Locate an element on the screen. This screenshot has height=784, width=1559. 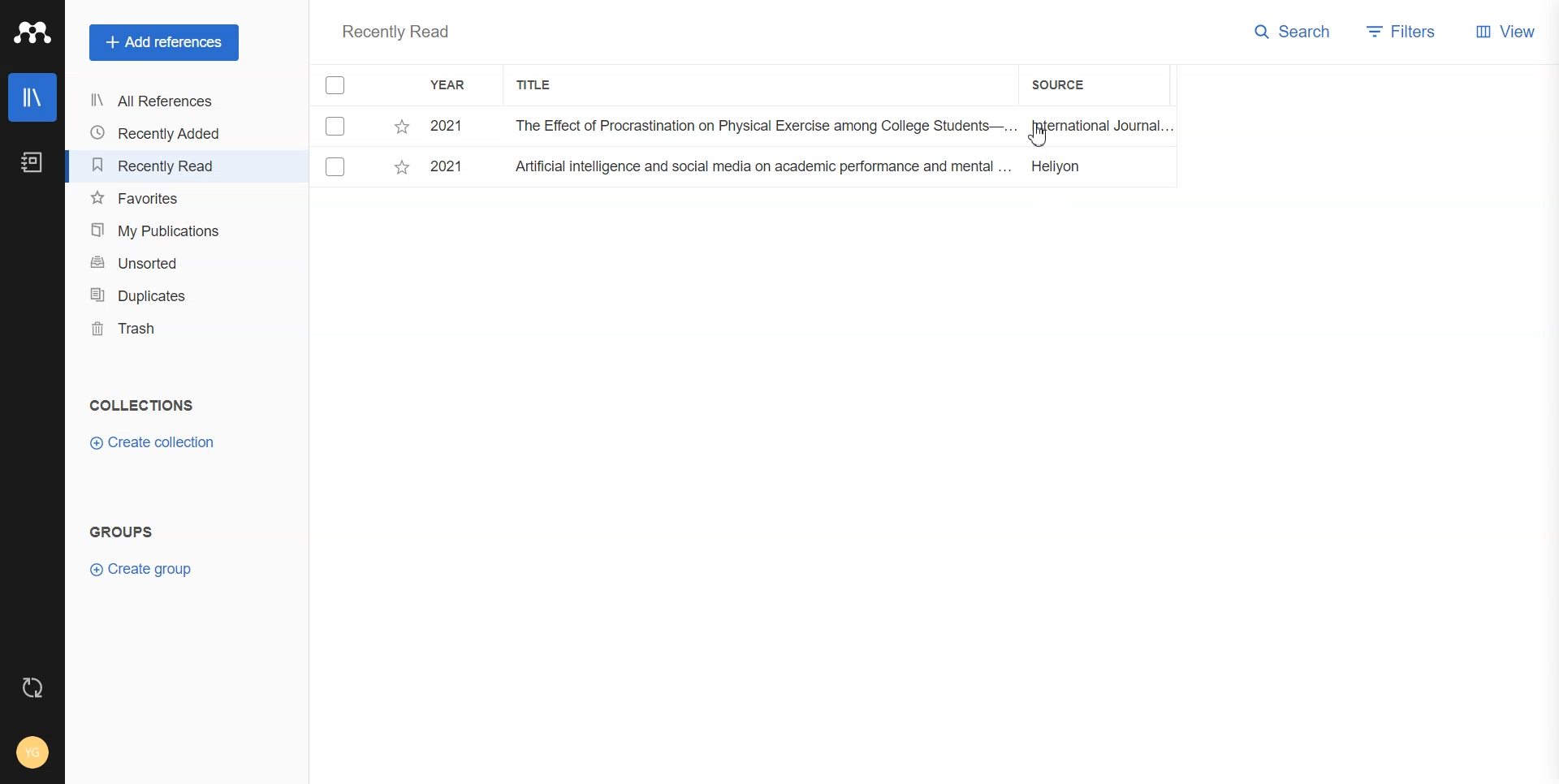
Source is located at coordinates (1068, 84).